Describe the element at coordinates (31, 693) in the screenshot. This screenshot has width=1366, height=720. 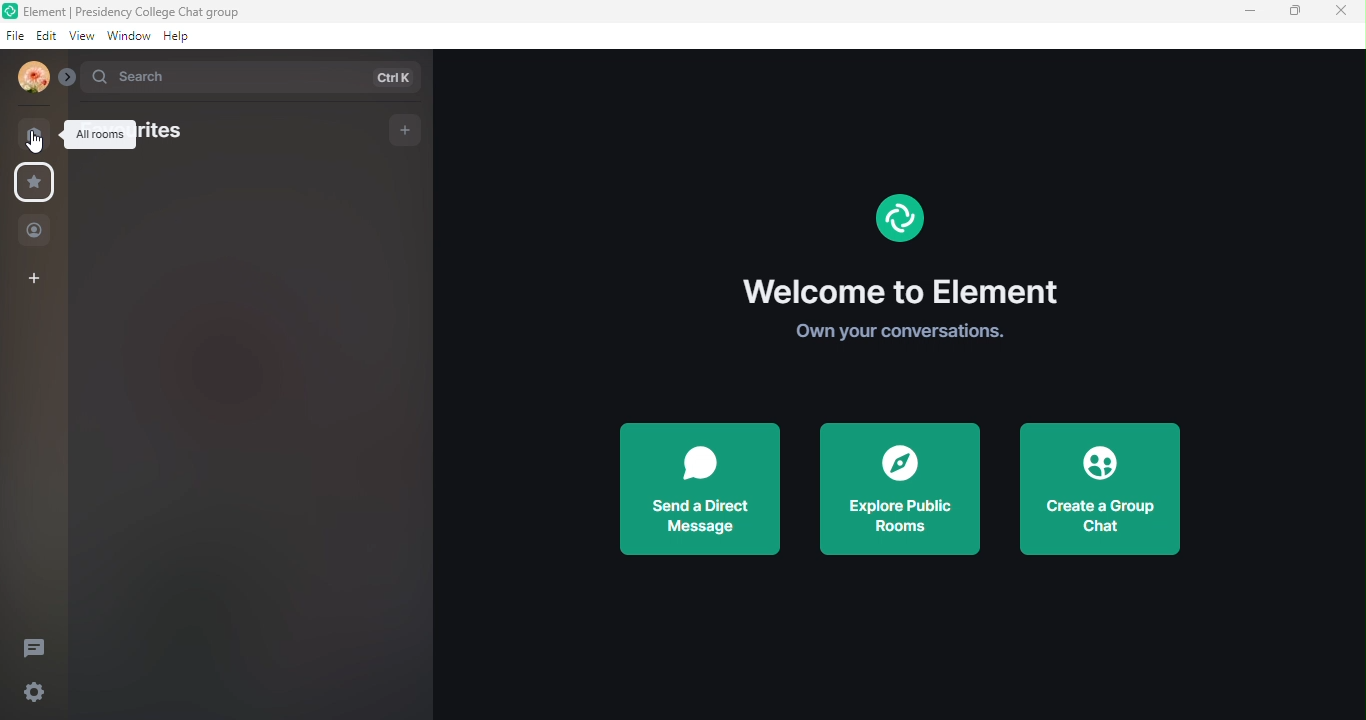
I see `settings` at that location.